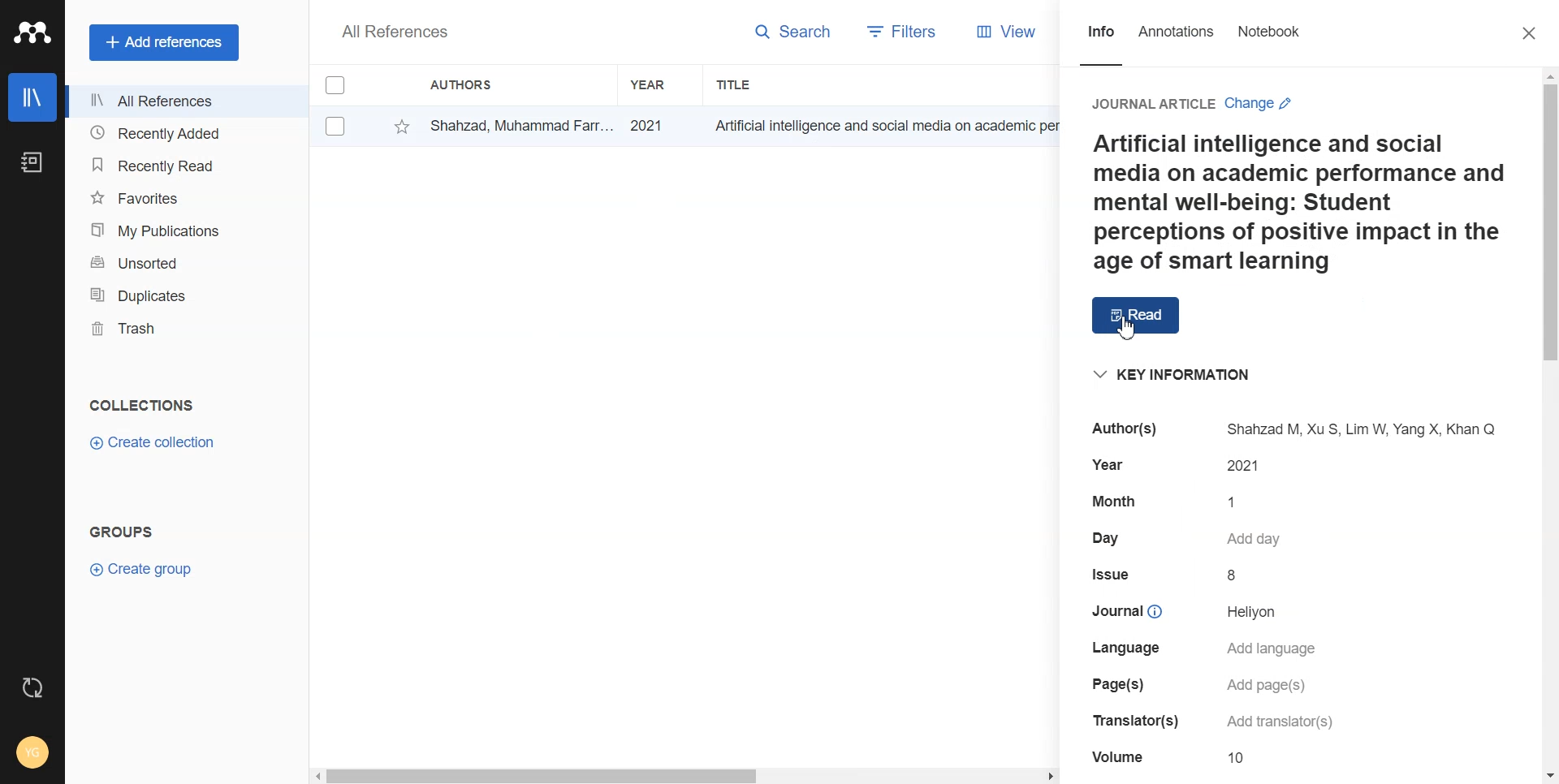 This screenshot has height=784, width=1559. I want to click on cursor, so click(1126, 330).